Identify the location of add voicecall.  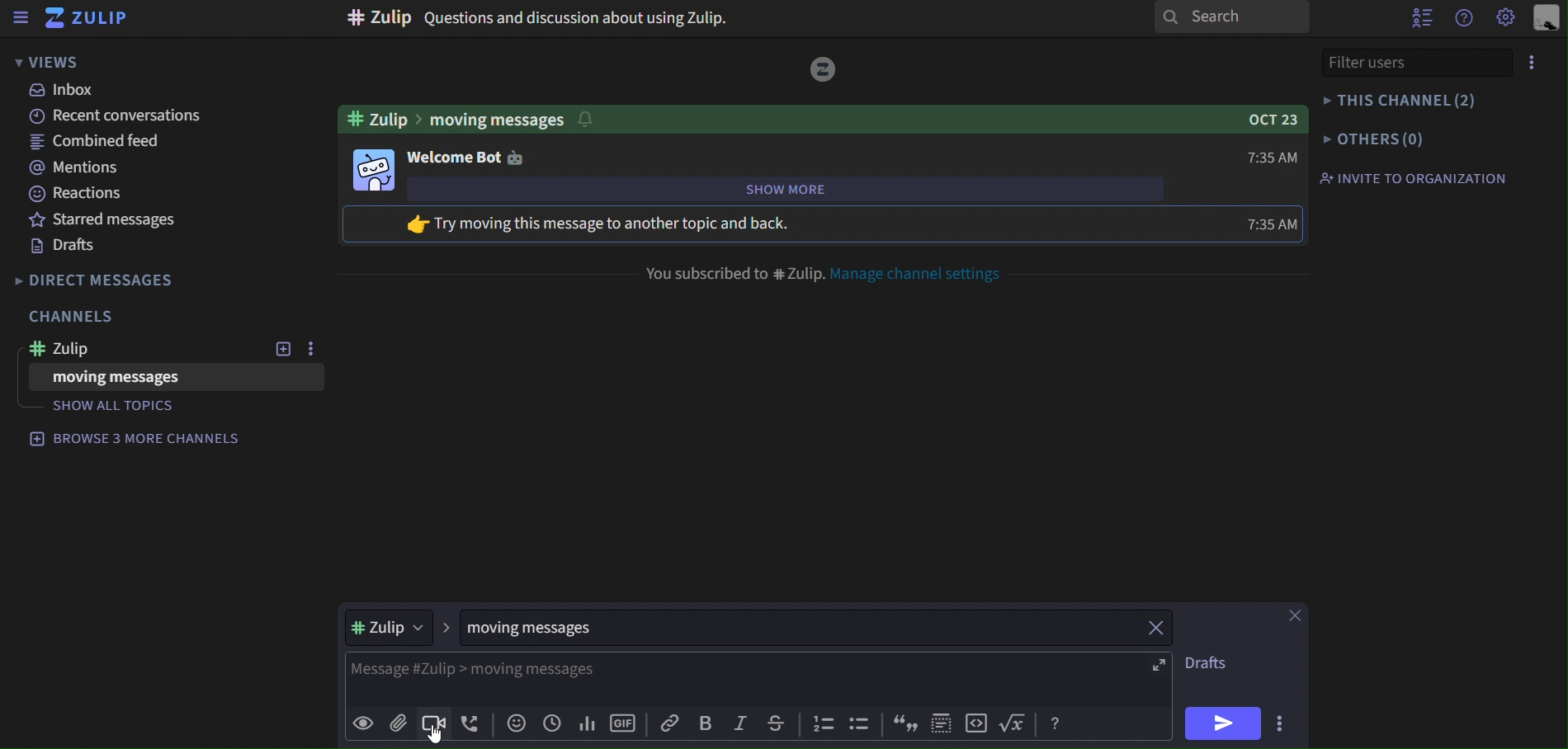
(470, 725).